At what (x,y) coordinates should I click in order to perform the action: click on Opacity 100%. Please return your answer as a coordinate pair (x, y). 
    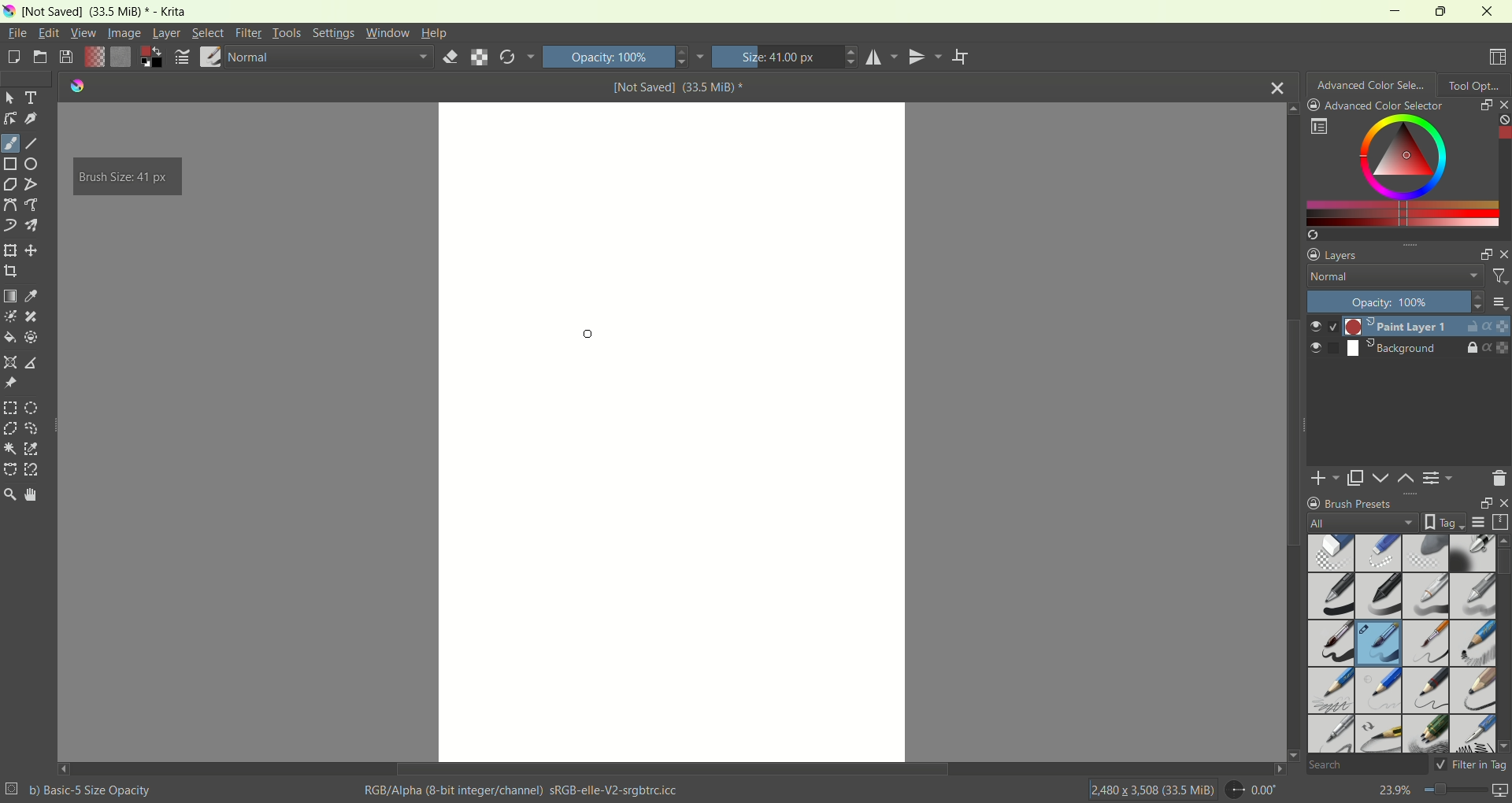
    Looking at the image, I should click on (1391, 302).